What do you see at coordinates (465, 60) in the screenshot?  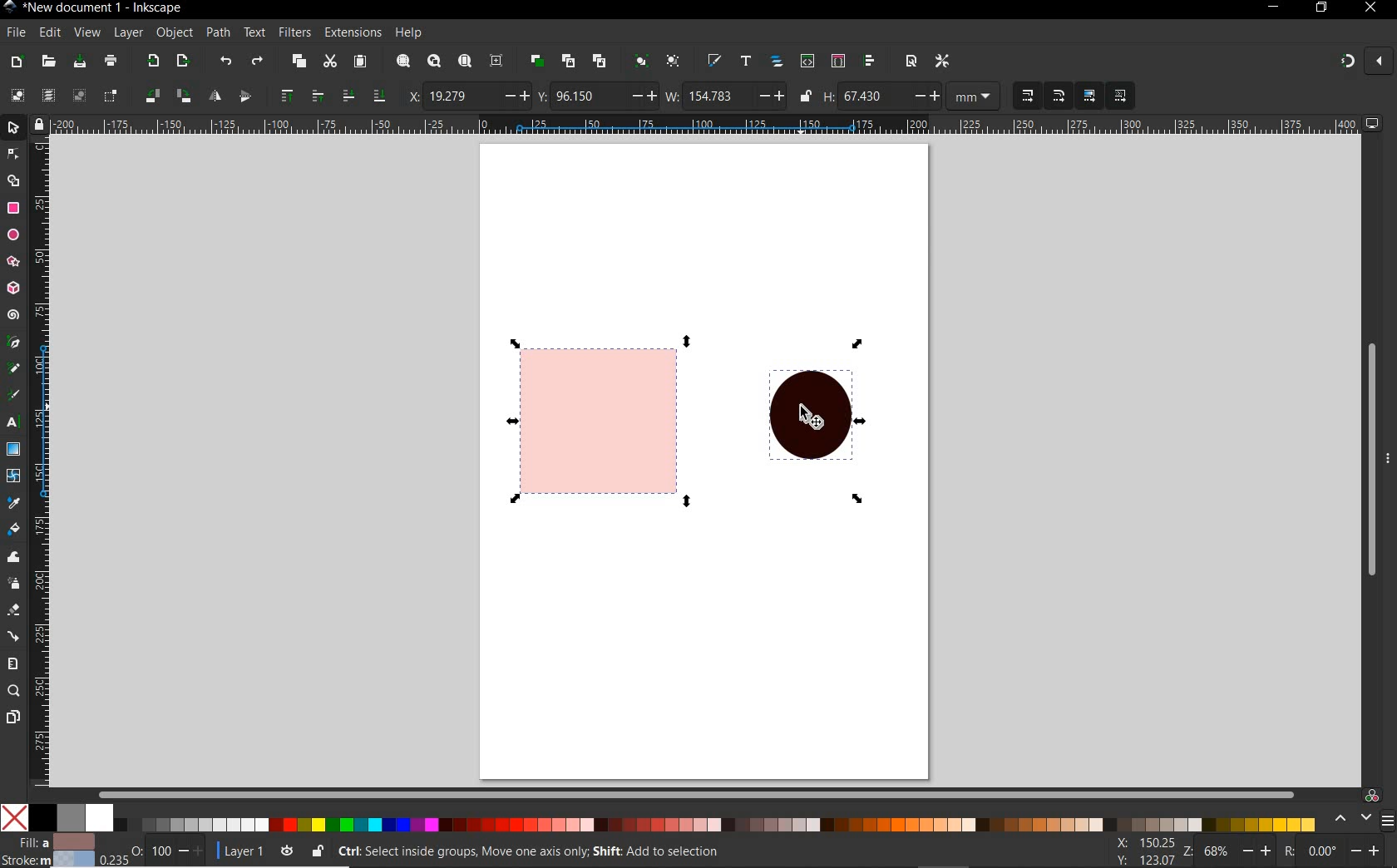 I see `zoom page` at bounding box center [465, 60].